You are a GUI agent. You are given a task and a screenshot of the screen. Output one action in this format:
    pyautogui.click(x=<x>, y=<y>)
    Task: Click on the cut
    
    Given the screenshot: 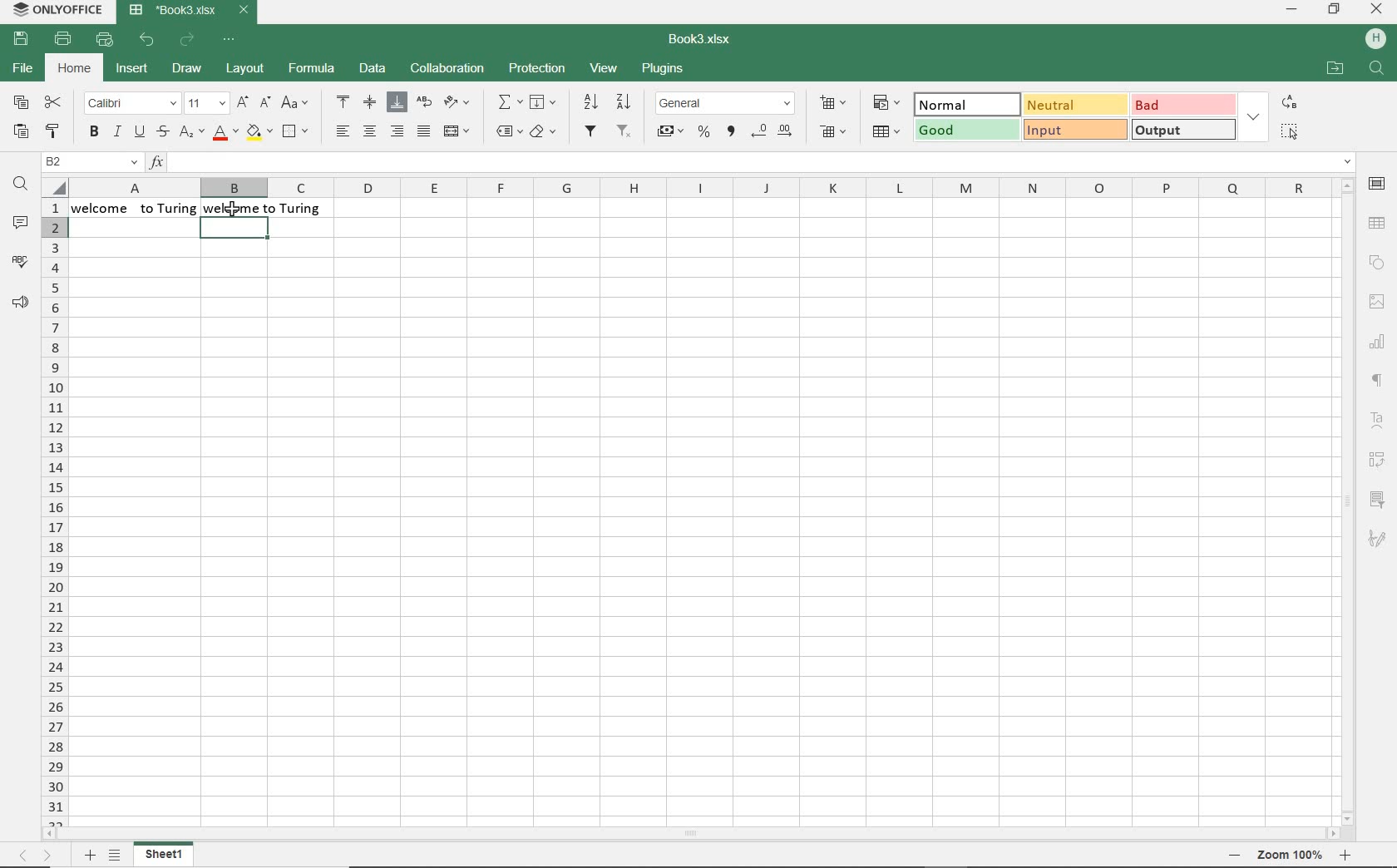 What is the action you would take?
    pyautogui.click(x=54, y=102)
    